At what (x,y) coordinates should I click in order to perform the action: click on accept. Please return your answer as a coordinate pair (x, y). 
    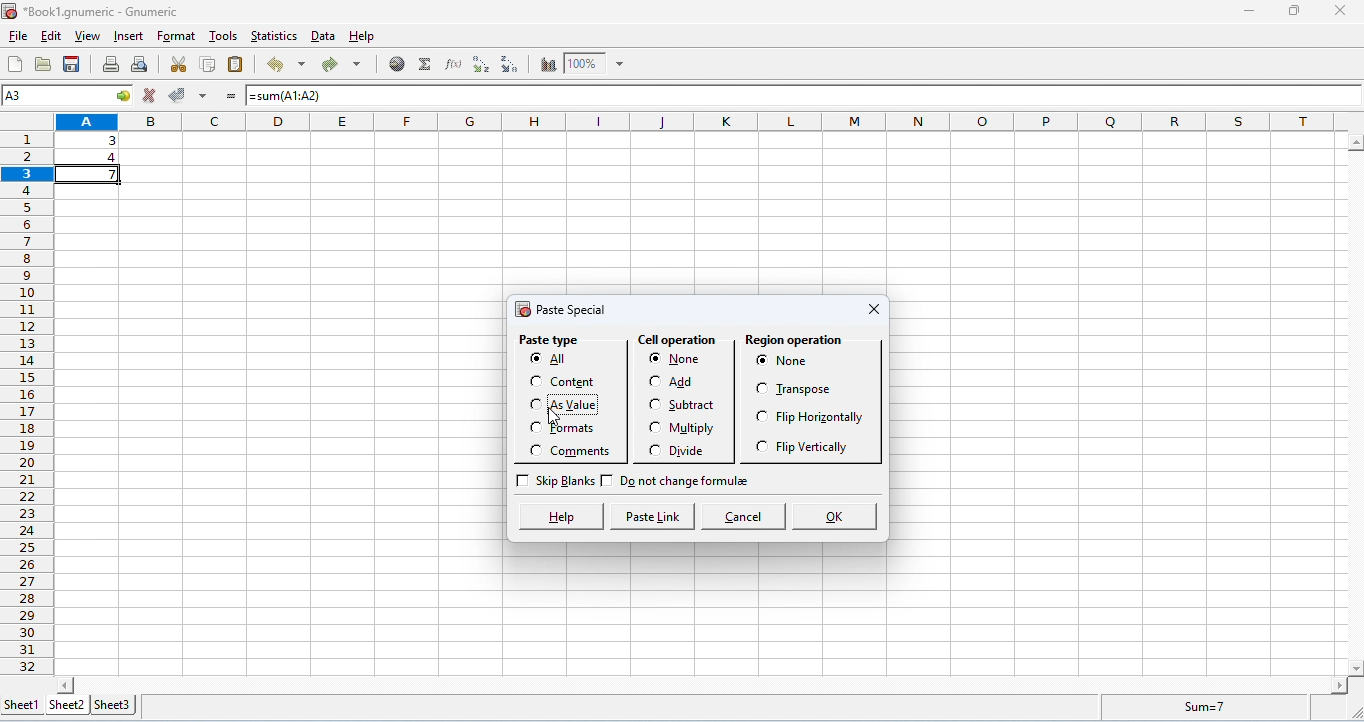
    Looking at the image, I should click on (177, 95).